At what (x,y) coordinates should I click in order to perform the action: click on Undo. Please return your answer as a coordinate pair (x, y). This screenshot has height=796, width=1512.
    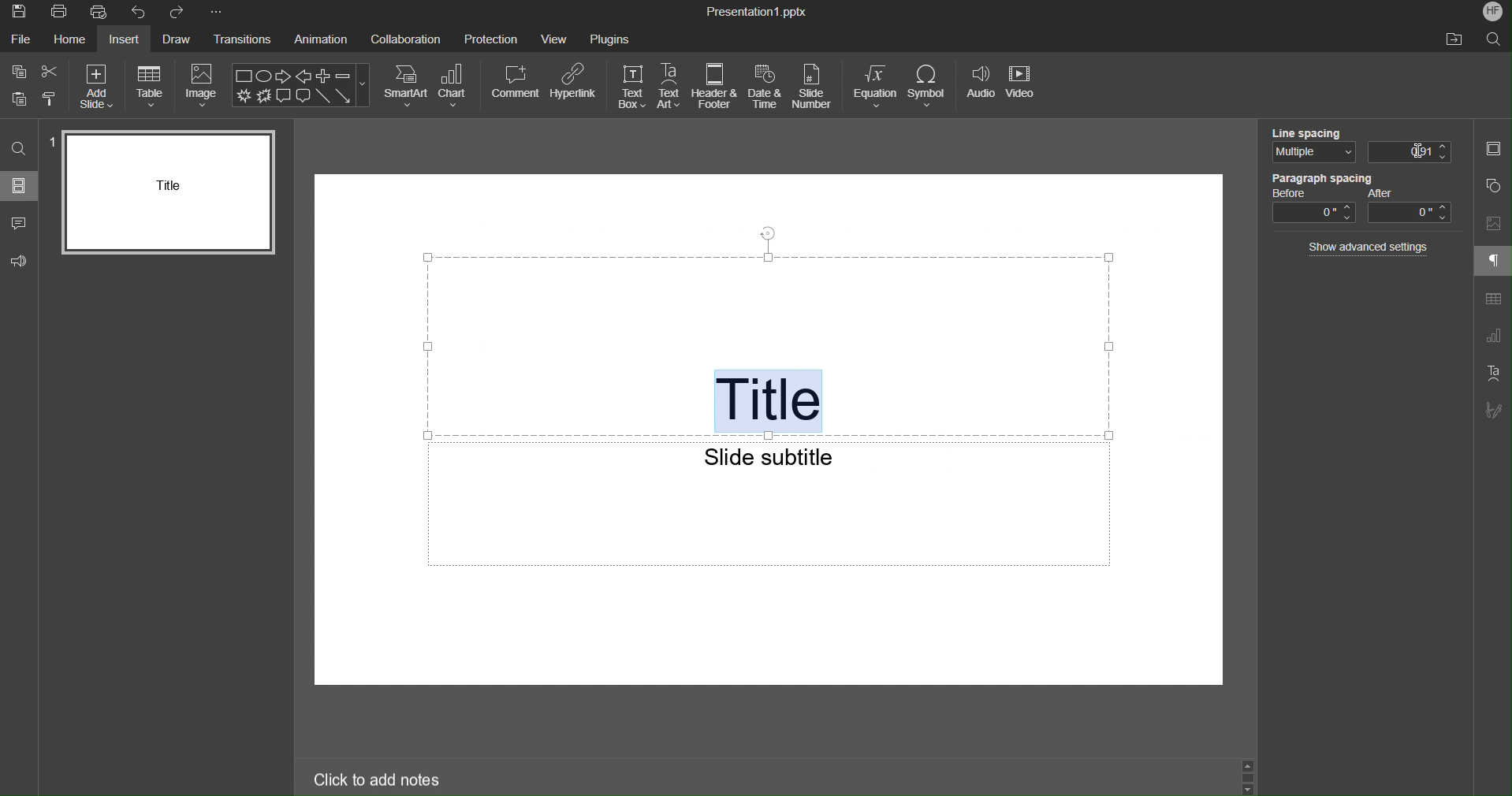
    Looking at the image, I should click on (140, 13).